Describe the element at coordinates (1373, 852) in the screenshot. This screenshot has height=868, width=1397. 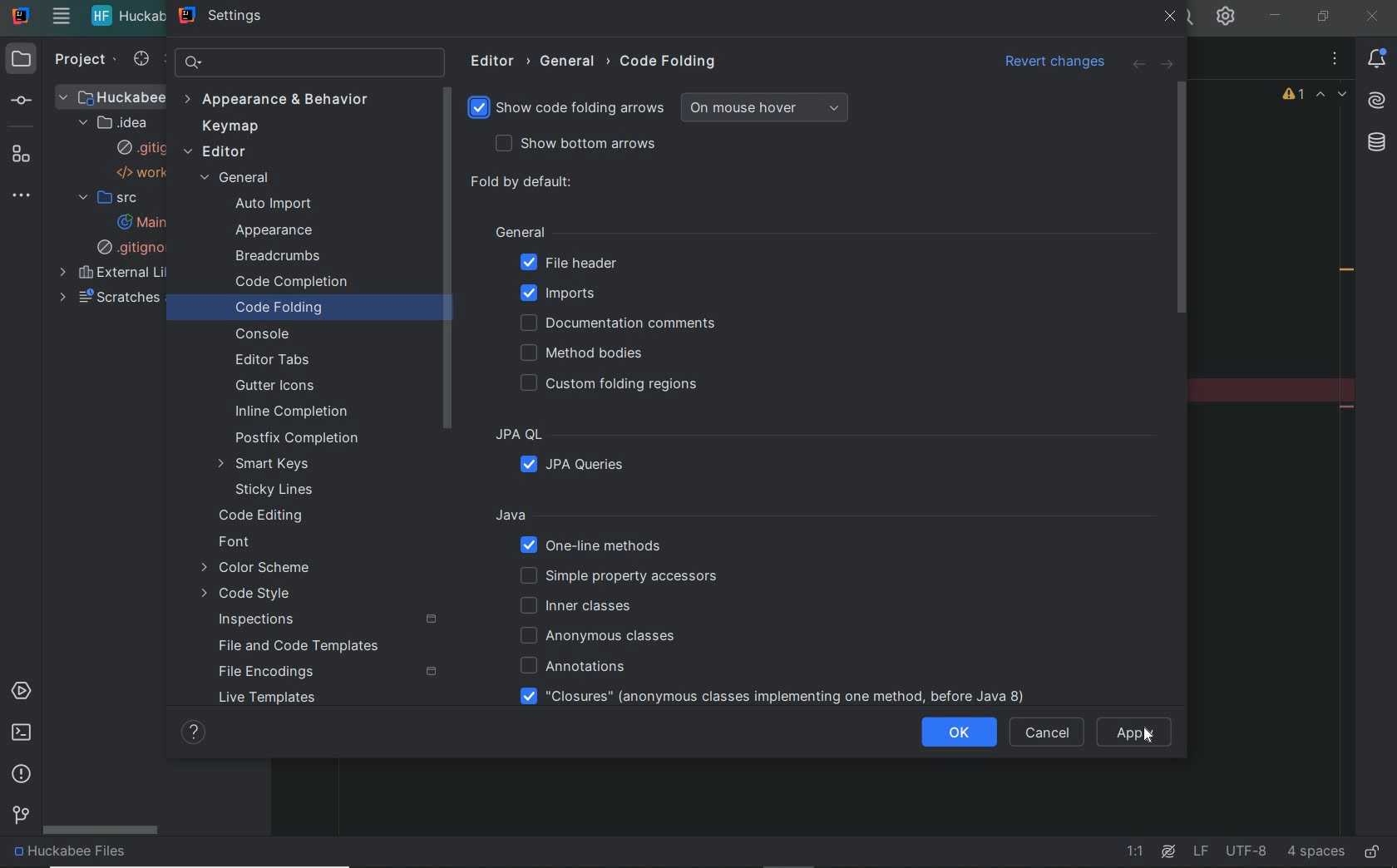
I see `make file ready only` at that location.